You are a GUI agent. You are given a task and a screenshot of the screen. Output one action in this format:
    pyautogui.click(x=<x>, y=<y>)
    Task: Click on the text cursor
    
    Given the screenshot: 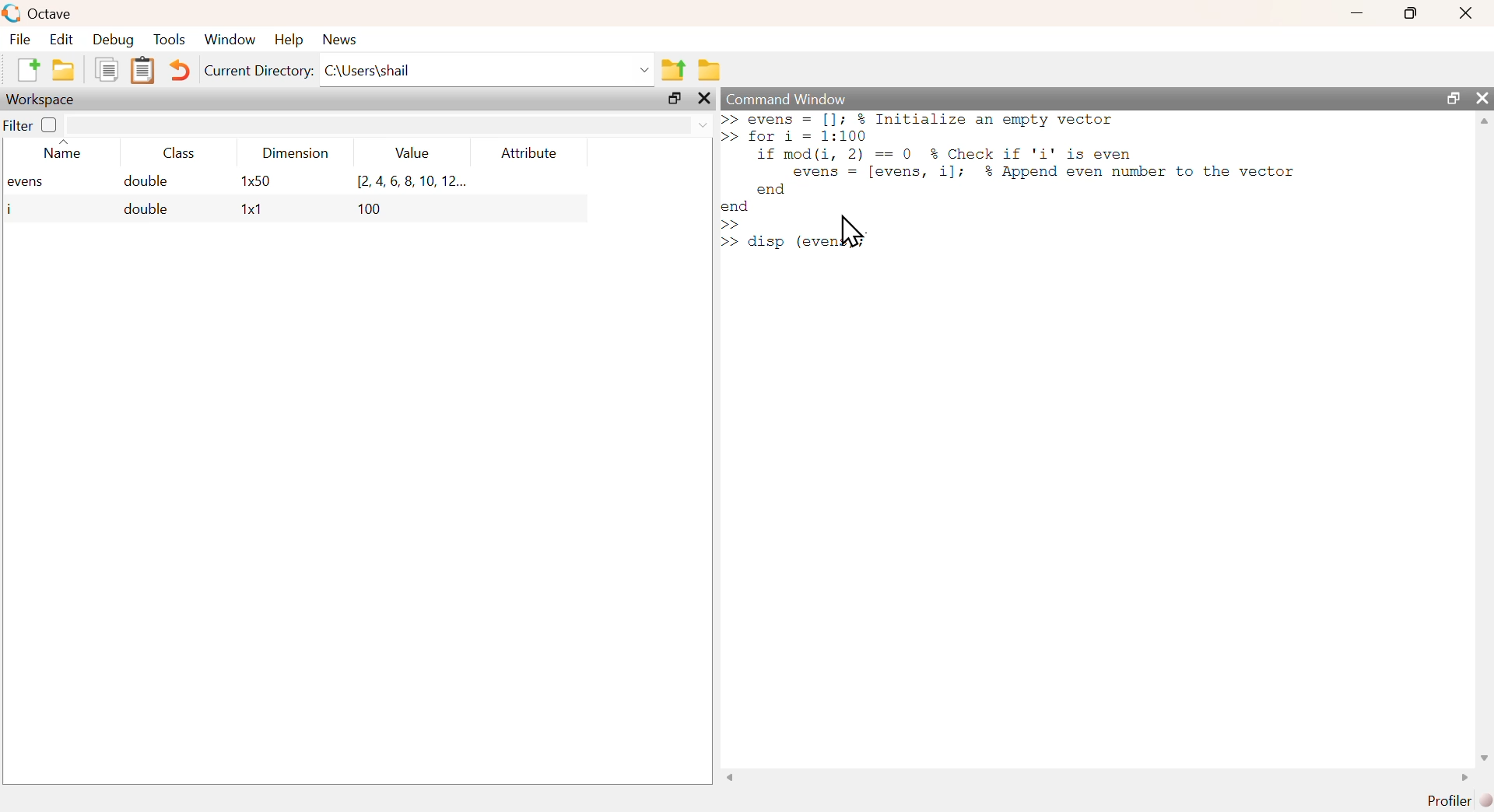 What is the action you would take?
    pyautogui.click(x=751, y=225)
    